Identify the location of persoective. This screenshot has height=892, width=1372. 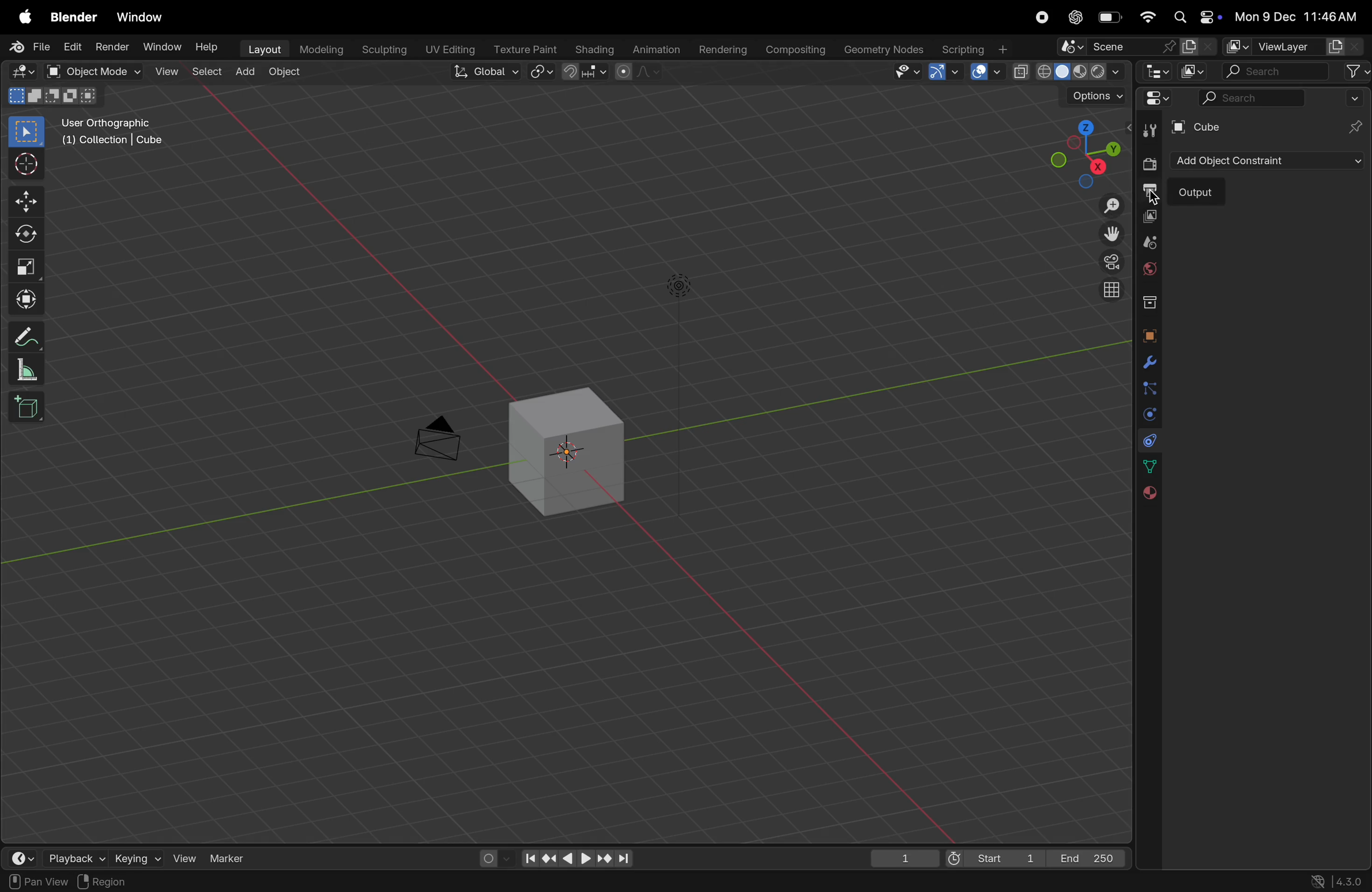
(1107, 262).